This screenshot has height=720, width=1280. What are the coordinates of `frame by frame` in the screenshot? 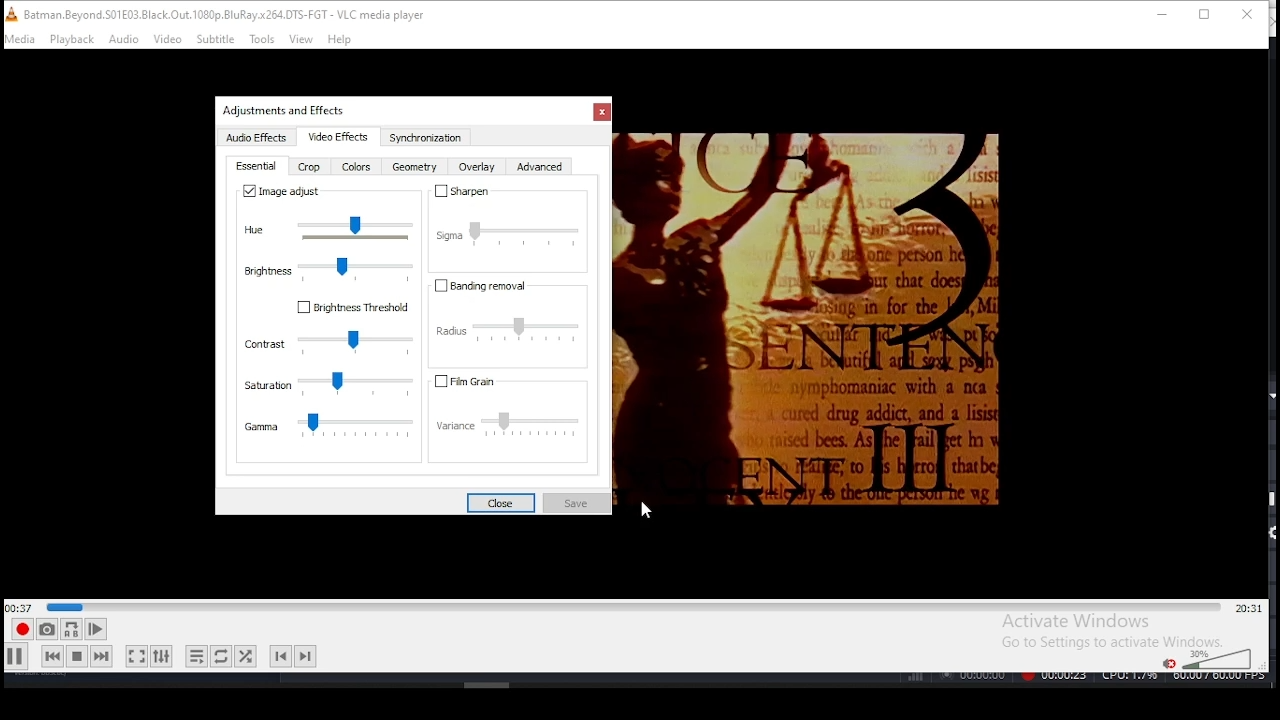 It's located at (94, 629).